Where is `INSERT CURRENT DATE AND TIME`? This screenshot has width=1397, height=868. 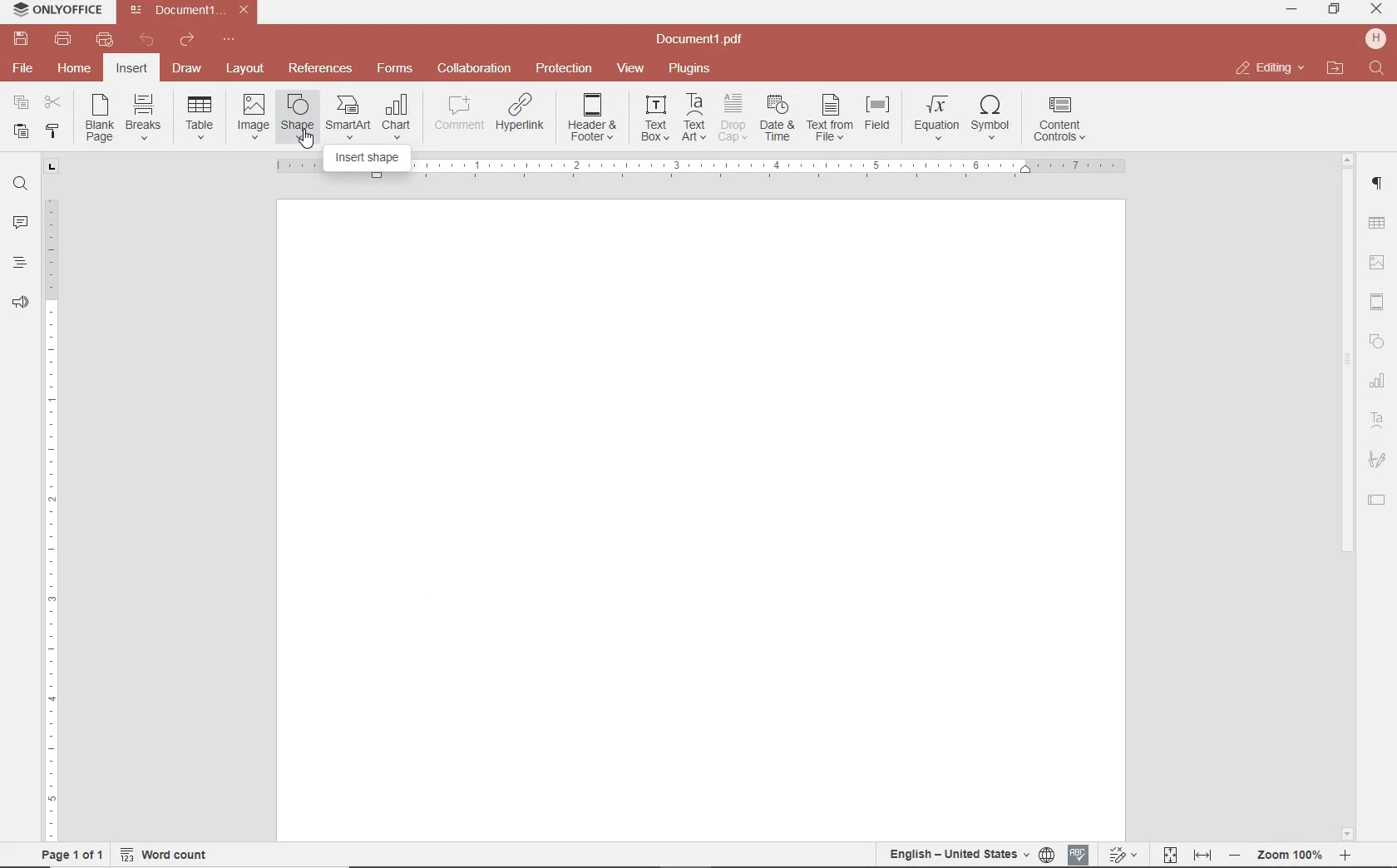 INSERT CURRENT DATE AND TIME is located at coordinates (775, 119).